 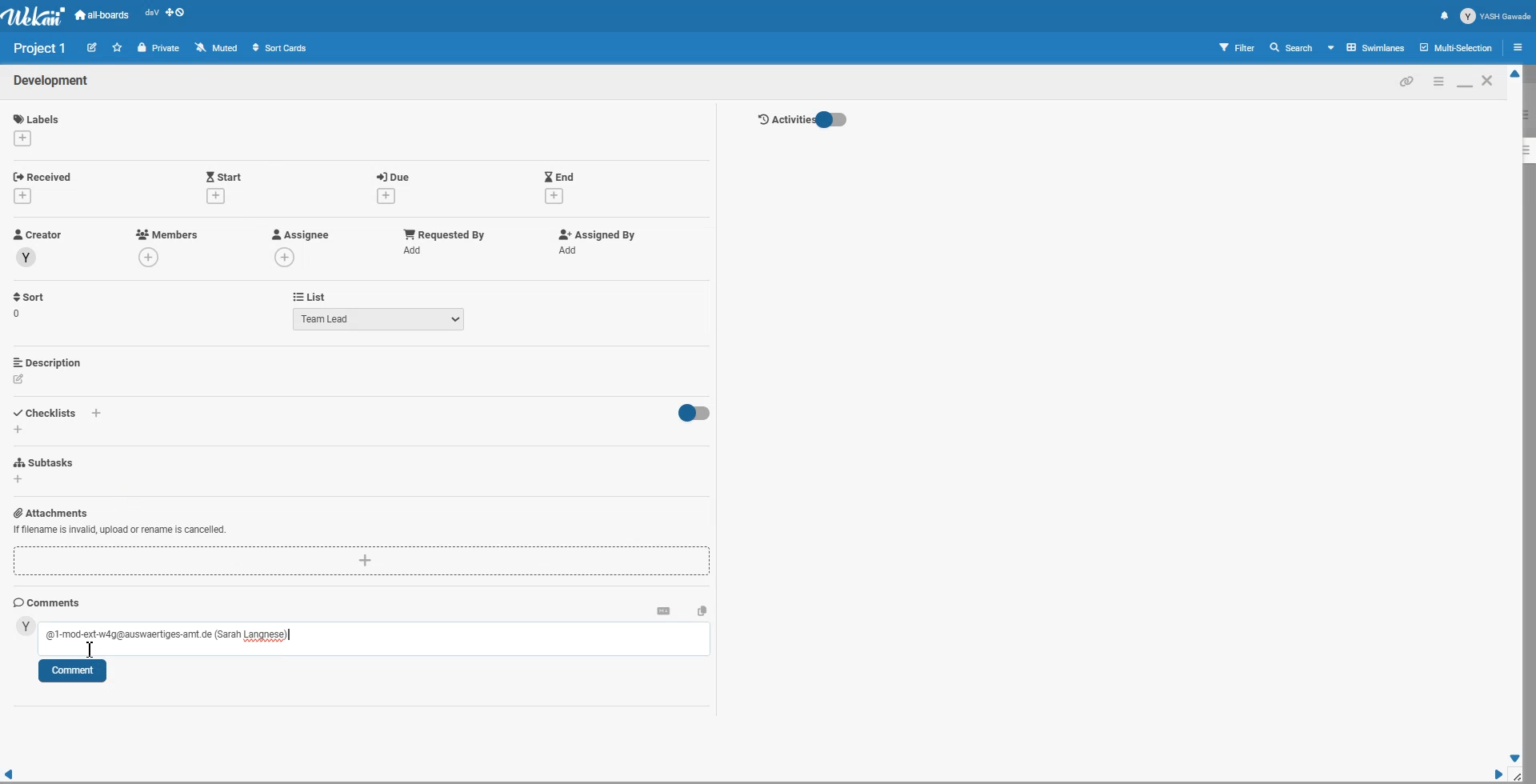 I want to click on add, so click(x=151, y=258).